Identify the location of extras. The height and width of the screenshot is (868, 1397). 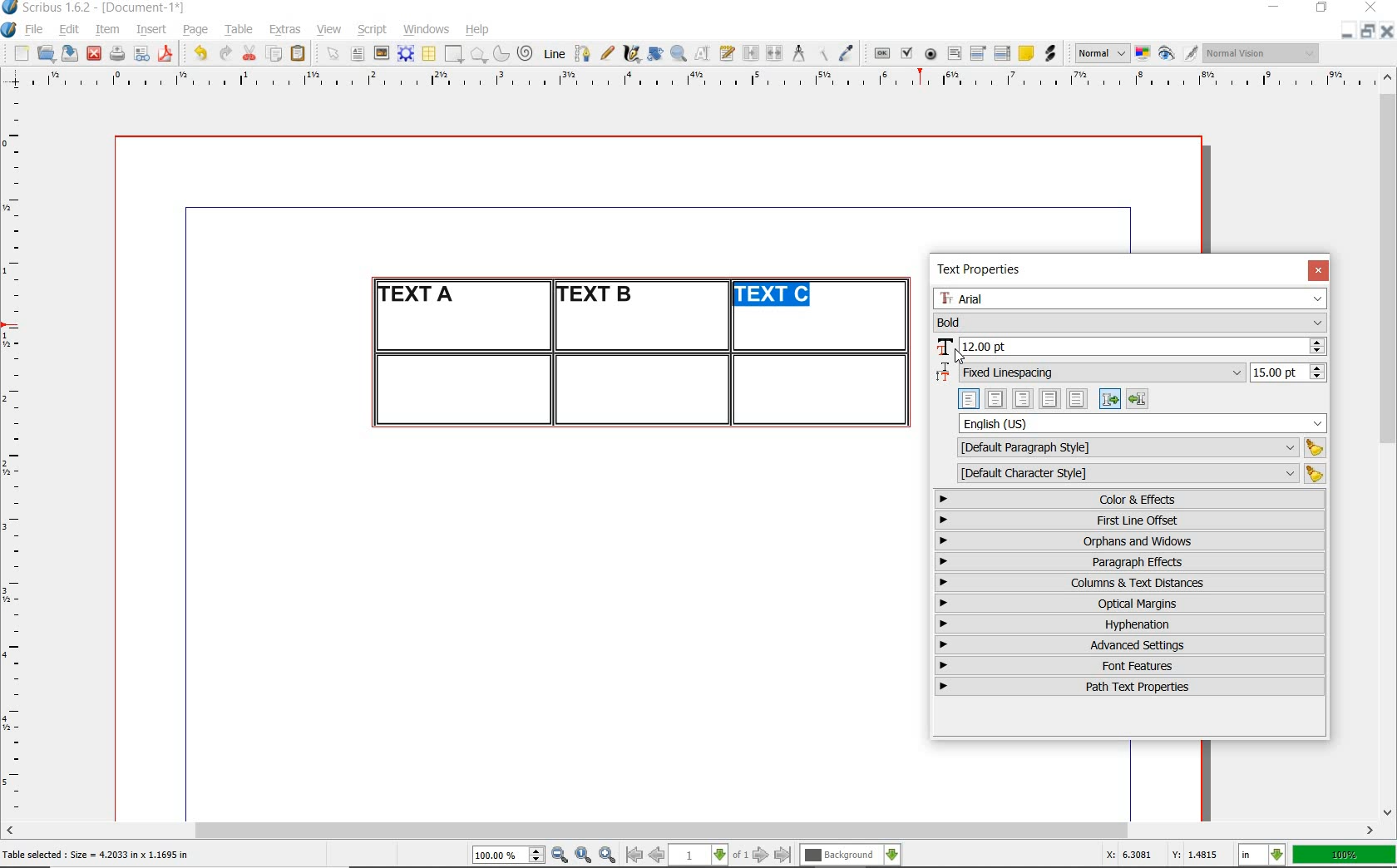
(285, 31).